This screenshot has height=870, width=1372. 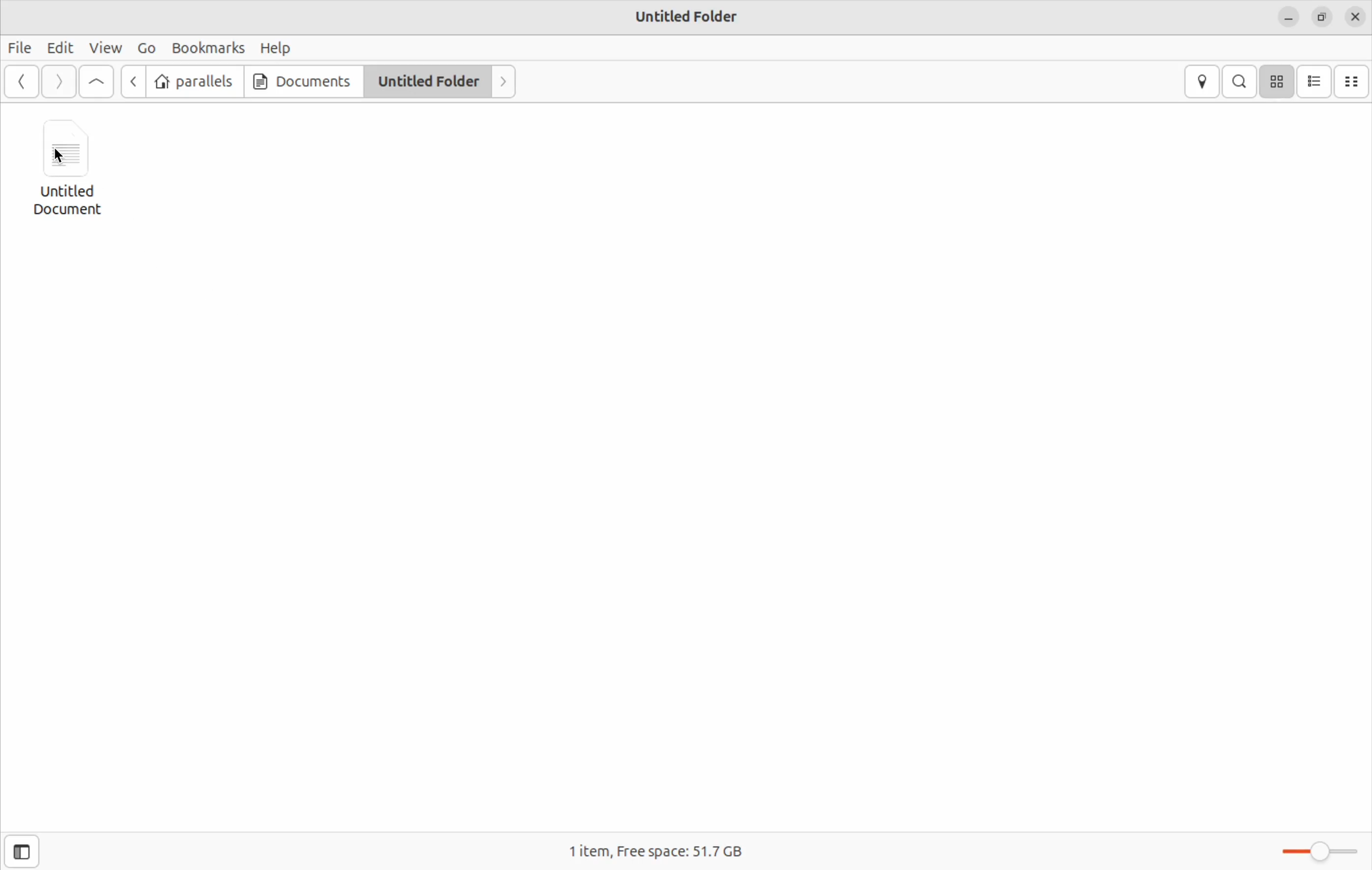 What do you see at coordinates (144, 47) in the screenshot?
I see `Go` at bounding box center [144, 47].